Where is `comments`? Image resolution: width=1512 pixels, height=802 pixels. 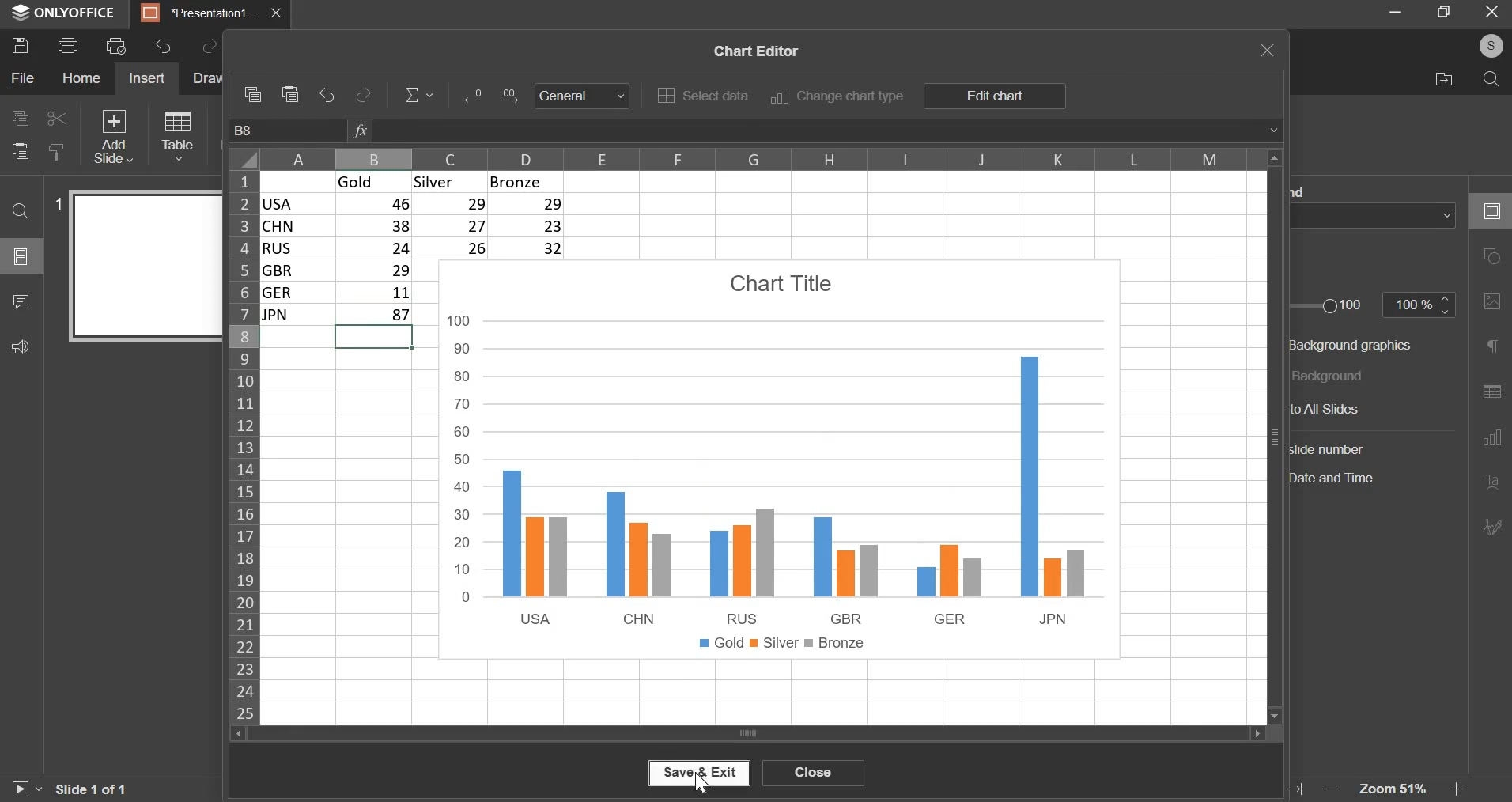
comments is located at coordinates (20, 301).